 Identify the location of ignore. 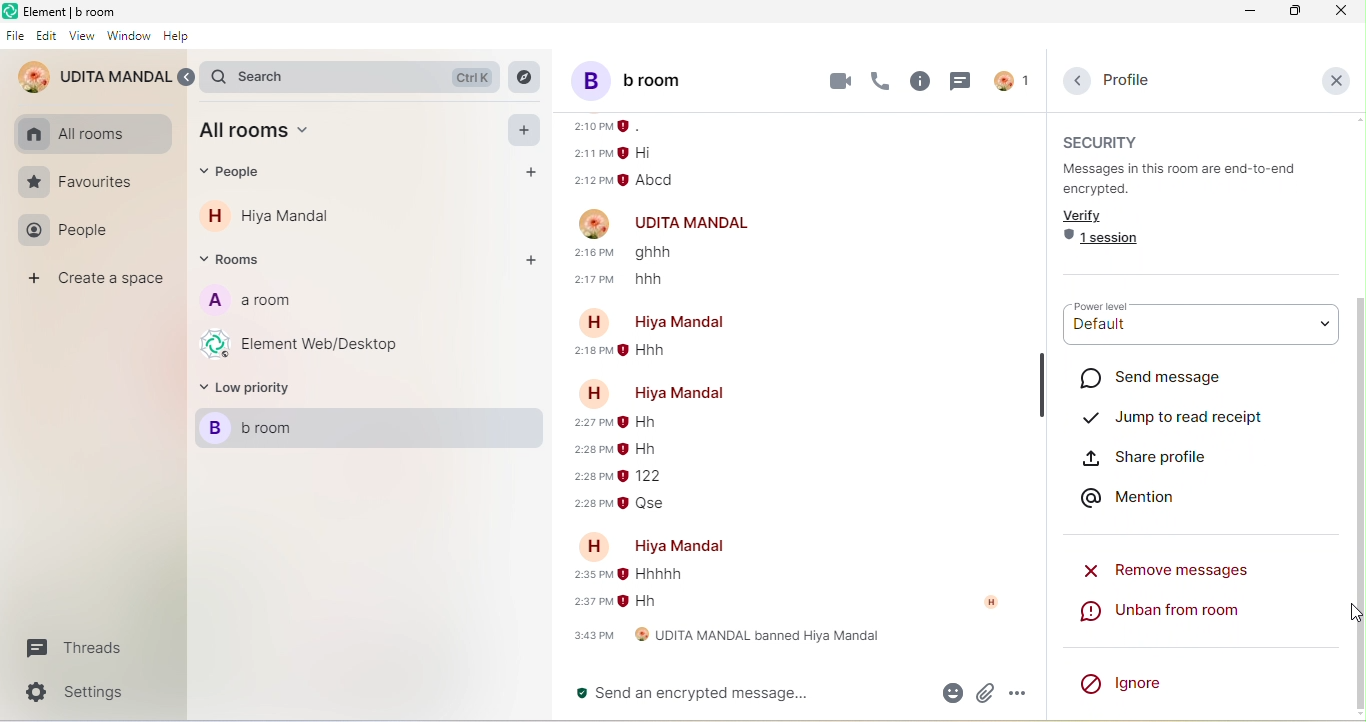
(1124, 680).